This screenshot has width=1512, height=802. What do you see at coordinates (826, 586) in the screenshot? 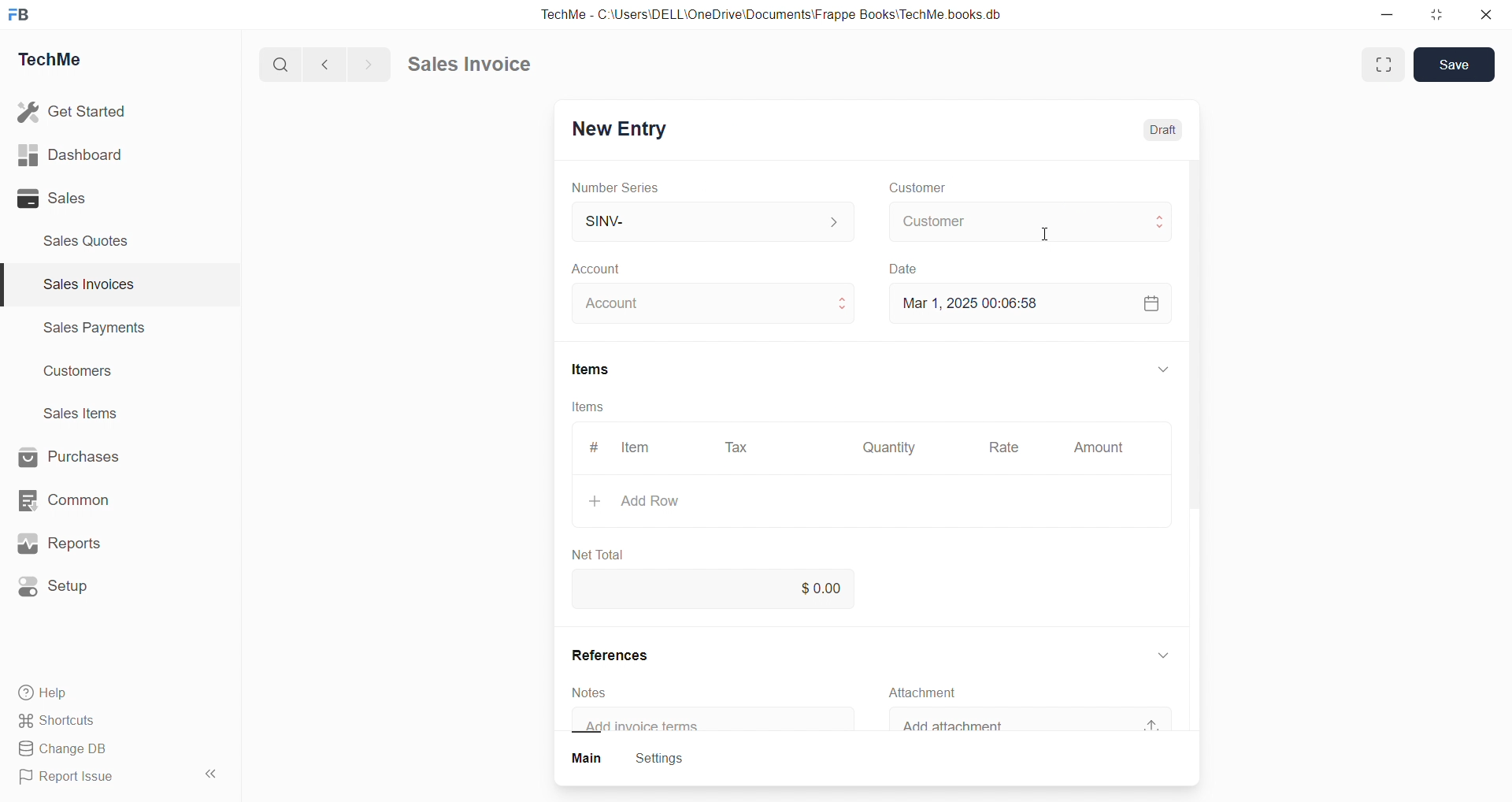
I see `$0.00` at bounding box center [826, 586].